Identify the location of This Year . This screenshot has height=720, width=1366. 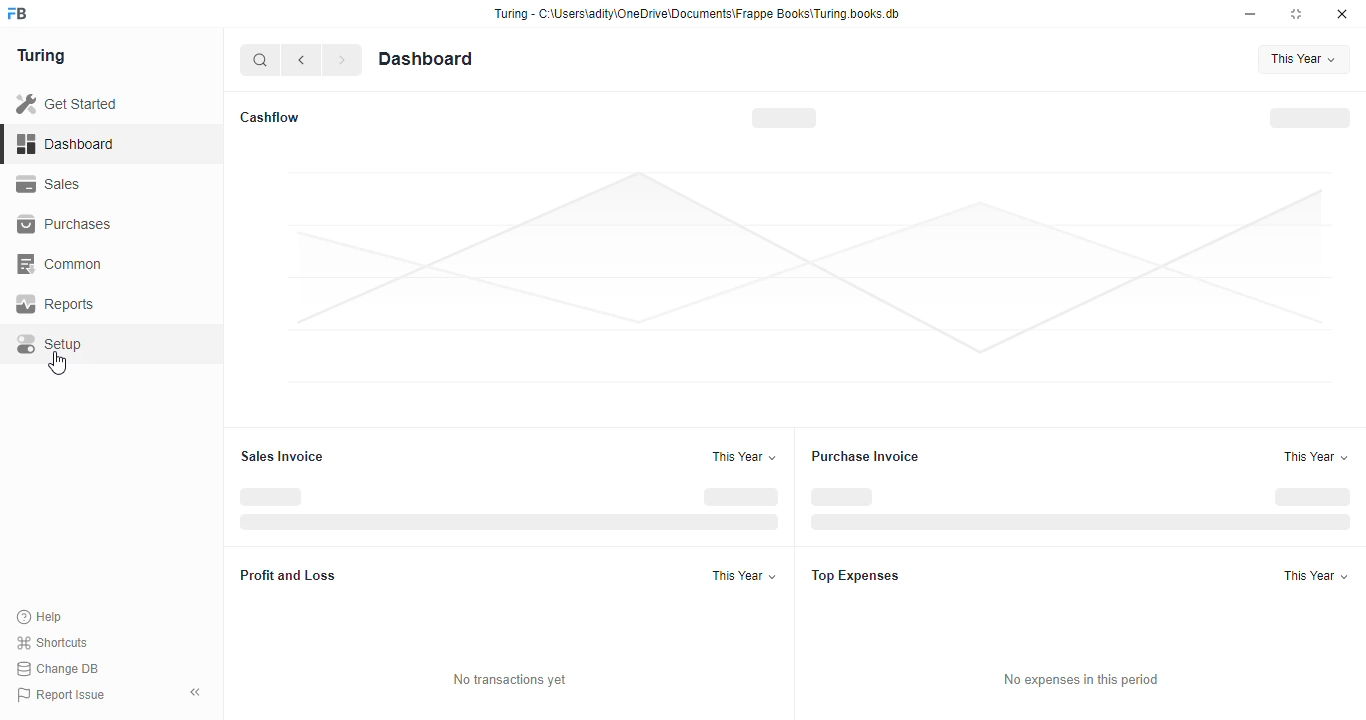
(747, 578).